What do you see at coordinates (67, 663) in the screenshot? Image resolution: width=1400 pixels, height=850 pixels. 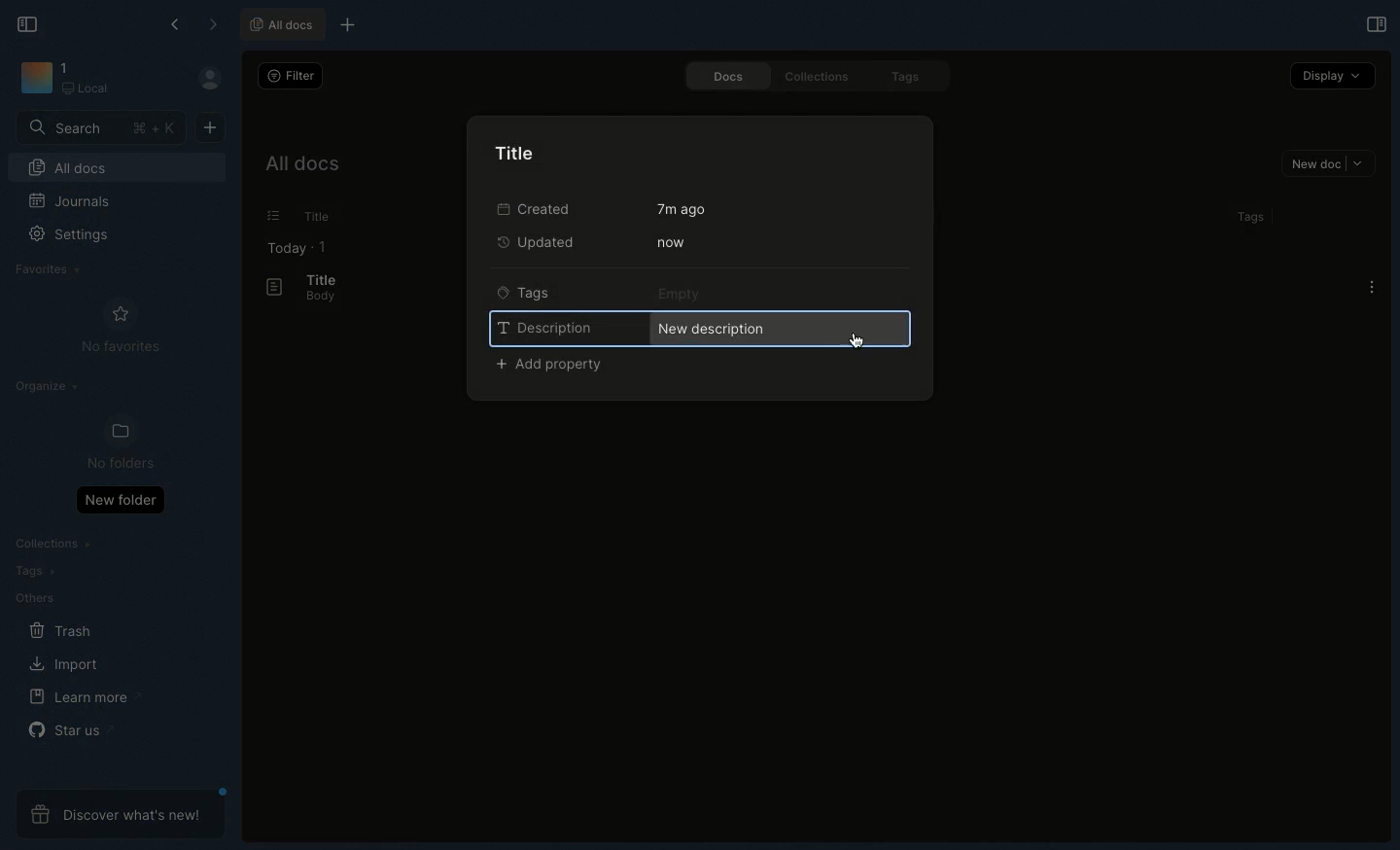 I see `Import` at bounding box center [67, 663].